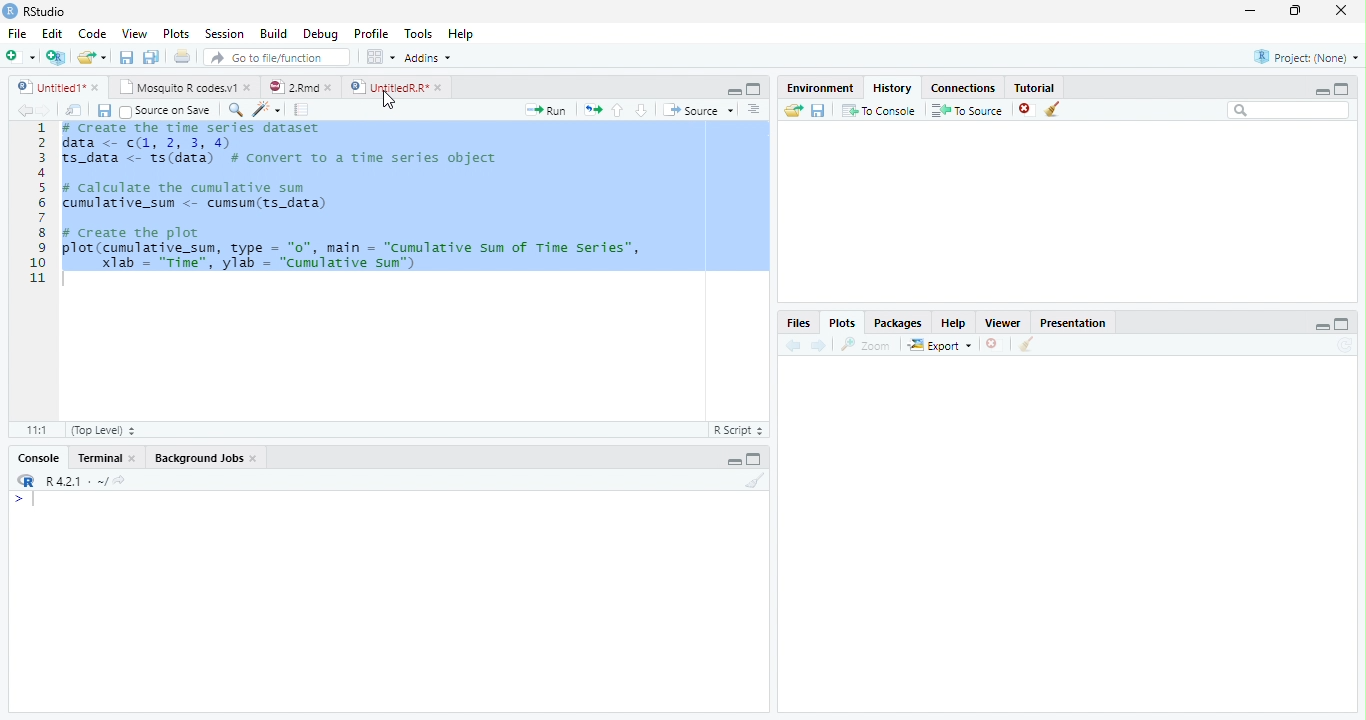  Describe the element at coordinates (741, 430) in the screenshot. I see `R script` at that location.